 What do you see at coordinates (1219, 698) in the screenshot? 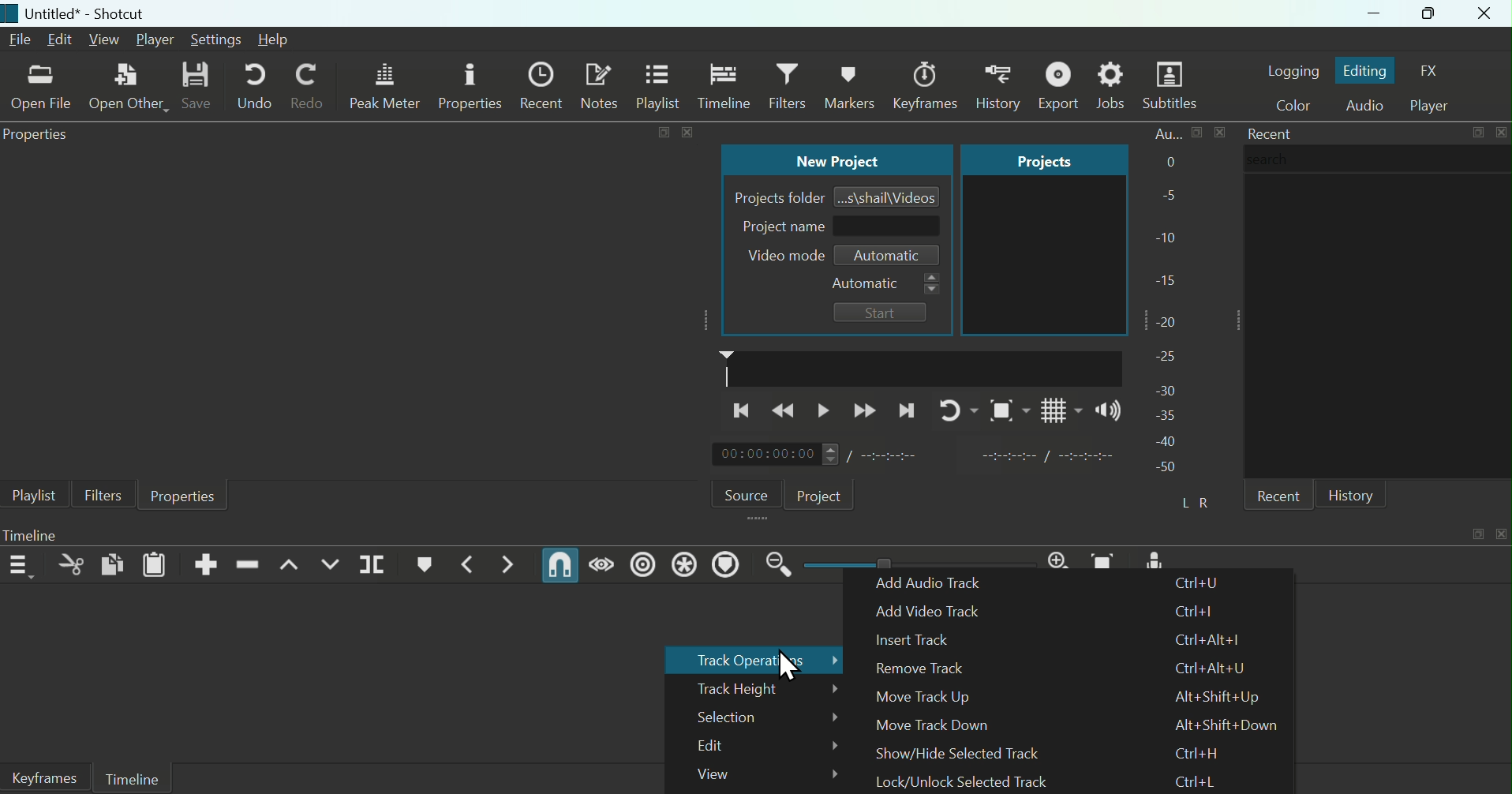
I see `Alt+Shift+Up` at bounding box center [1219, 698].